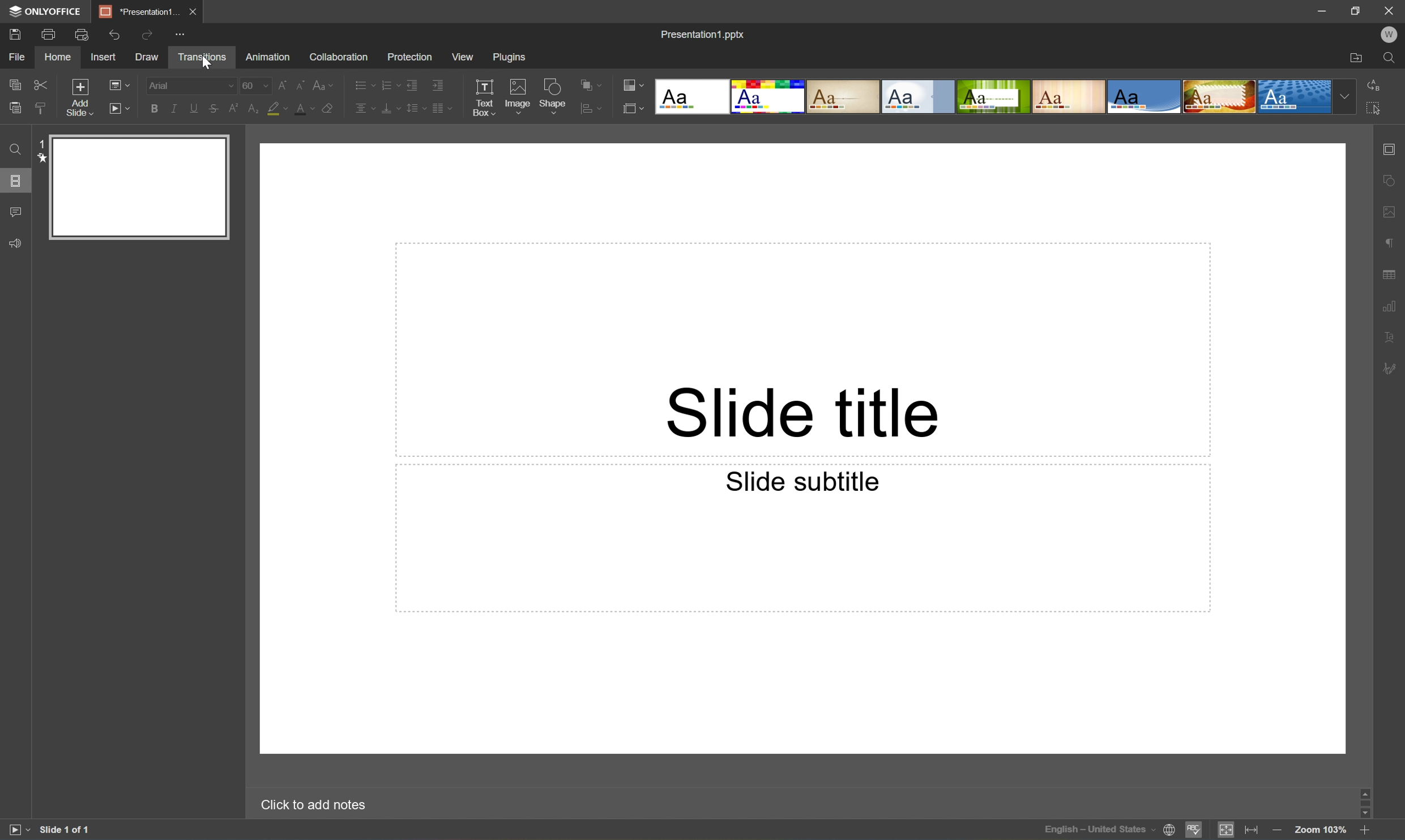  What do you see at coordinates (254, 109) in the screenshot?
I see `Subscript` at bounding box center [254, 109].